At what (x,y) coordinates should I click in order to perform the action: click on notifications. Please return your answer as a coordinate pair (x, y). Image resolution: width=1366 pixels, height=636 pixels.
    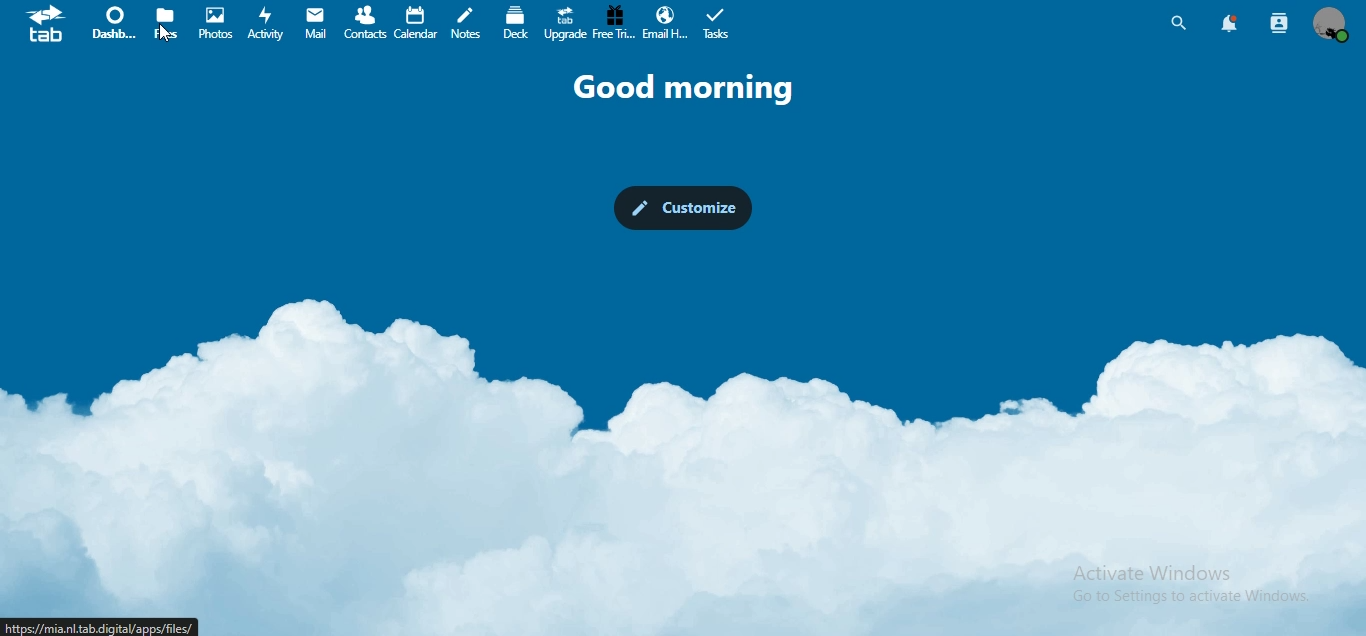
    Looking at the image, I should click on (1229, 22).